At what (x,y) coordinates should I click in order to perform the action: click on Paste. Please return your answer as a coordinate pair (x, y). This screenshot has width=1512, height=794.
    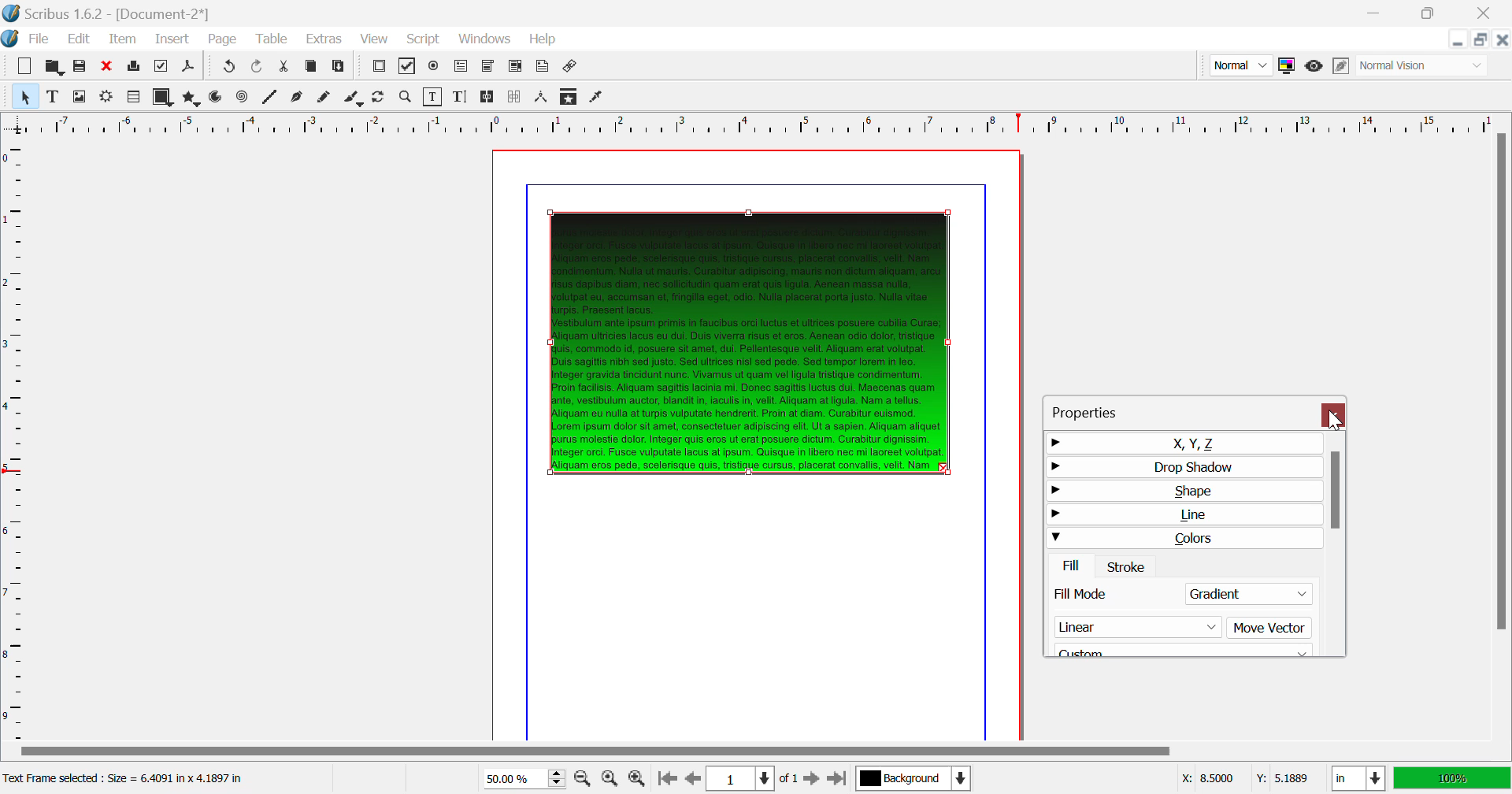
    Looking at the image, I should click on (340, 69).